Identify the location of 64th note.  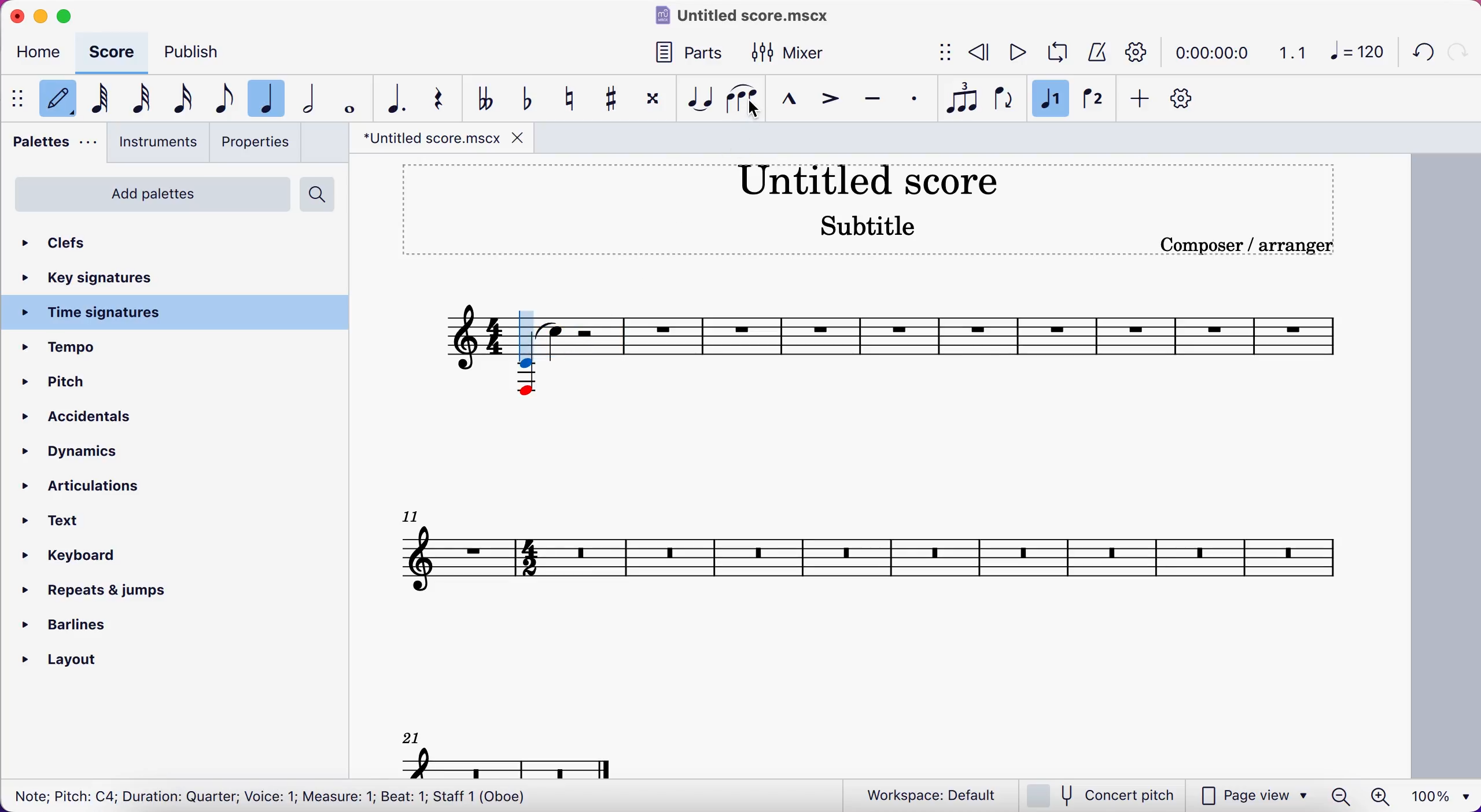
(105, 100).